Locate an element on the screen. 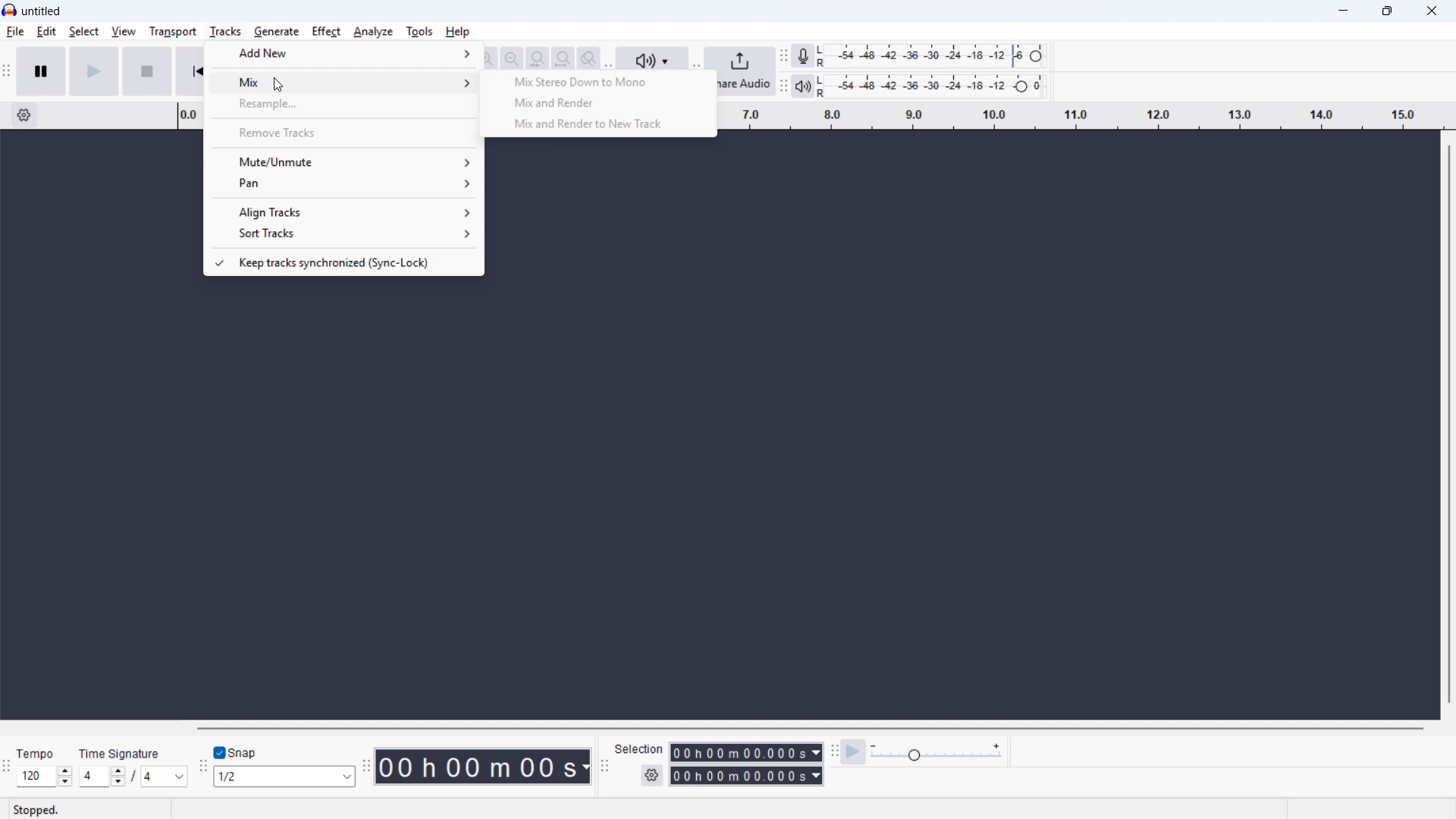 This screenshot has height=819, width=1456. Mix stereo down to Mono  is located at coordinates (598, 82).